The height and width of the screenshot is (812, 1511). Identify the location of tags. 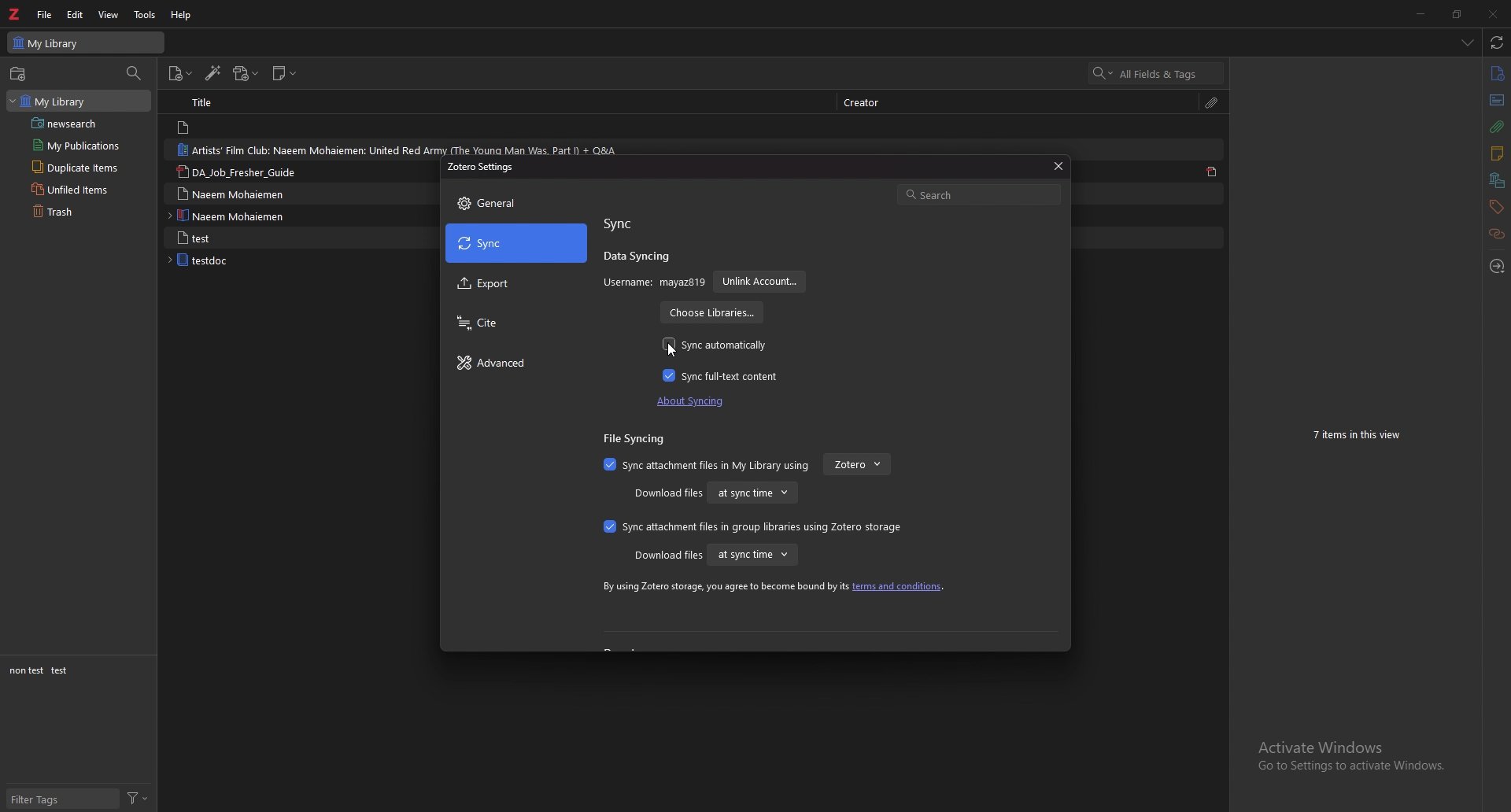
(1494, 207).